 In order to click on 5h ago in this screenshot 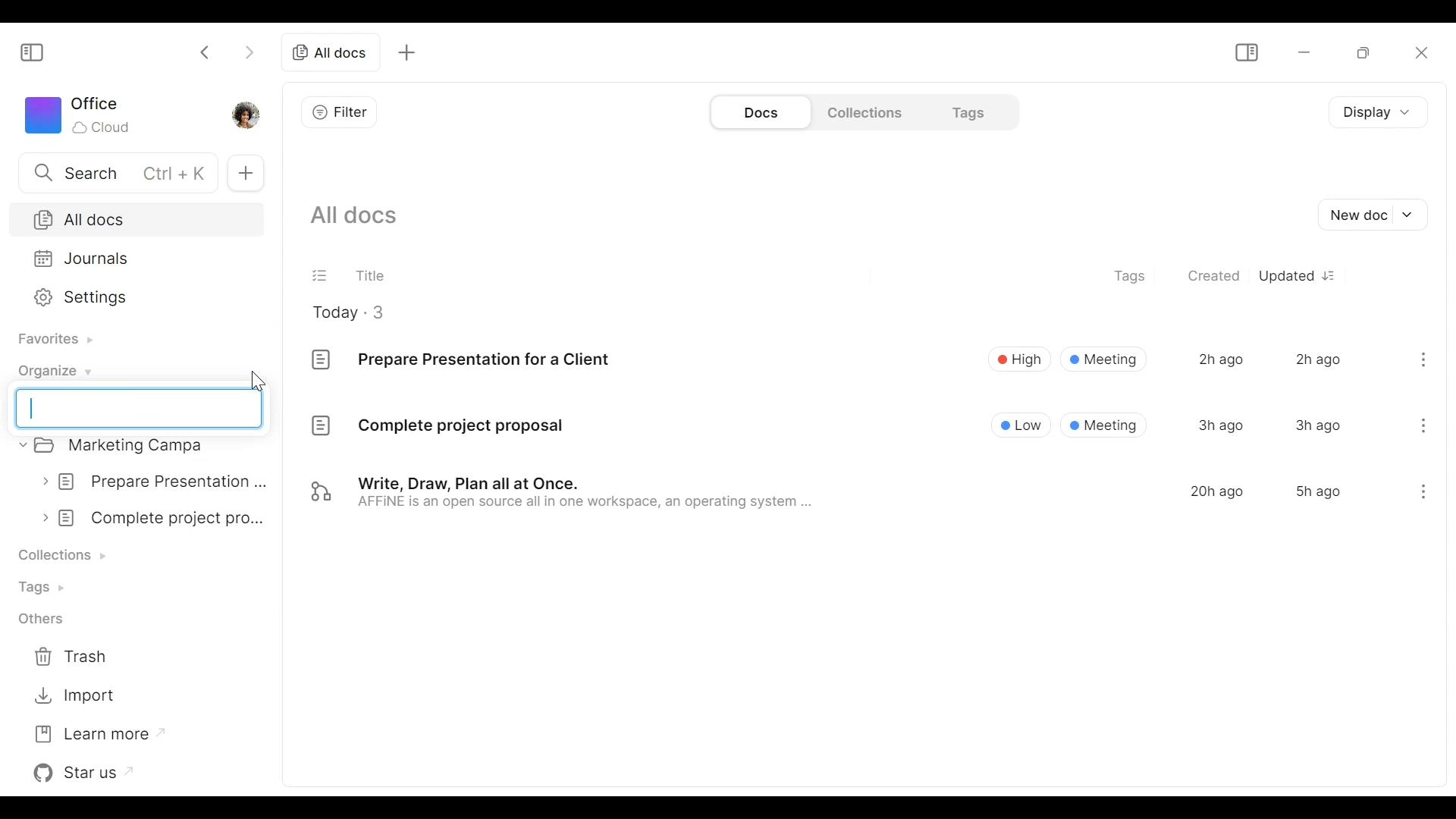, I will do `click(1317, 491)`.